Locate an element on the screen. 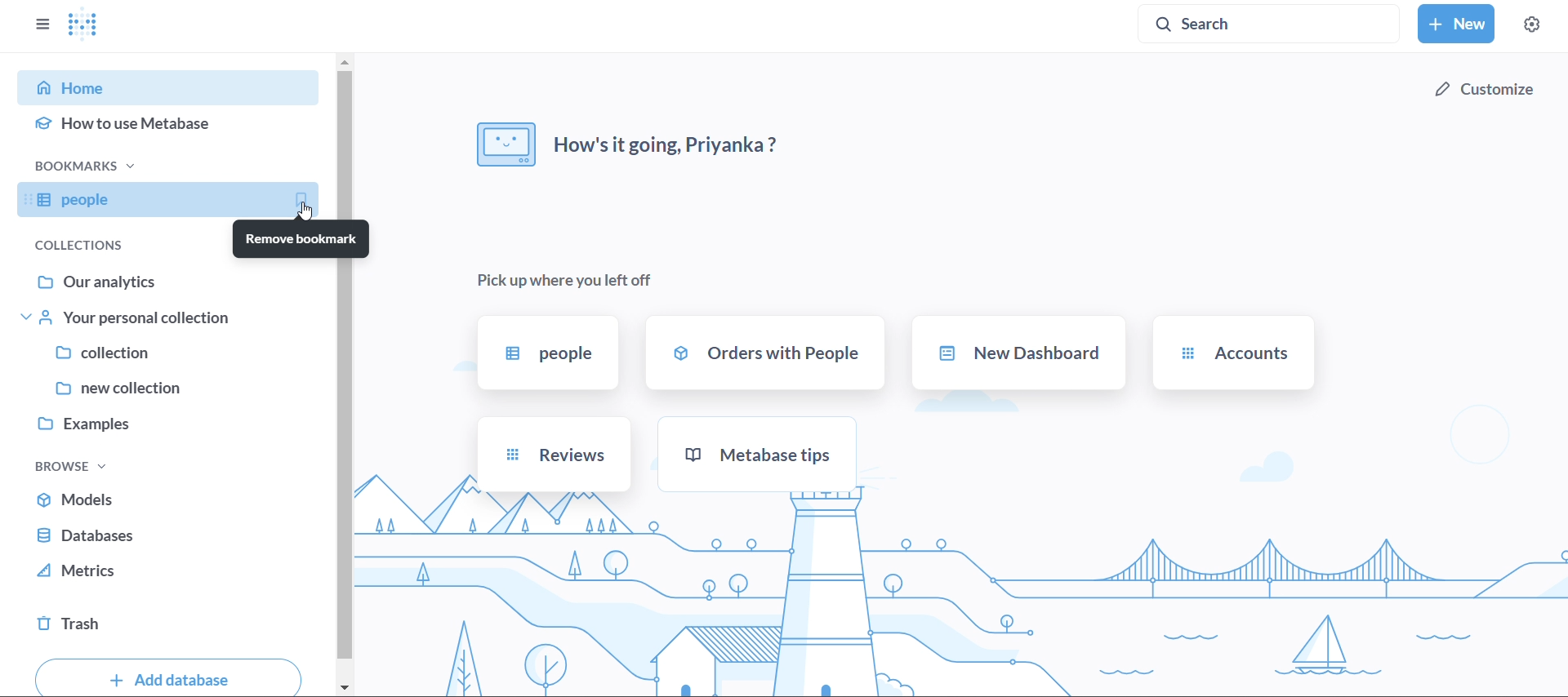 This screenshot has height=697, width=1568. metrics is located at coordinates (162, 575).